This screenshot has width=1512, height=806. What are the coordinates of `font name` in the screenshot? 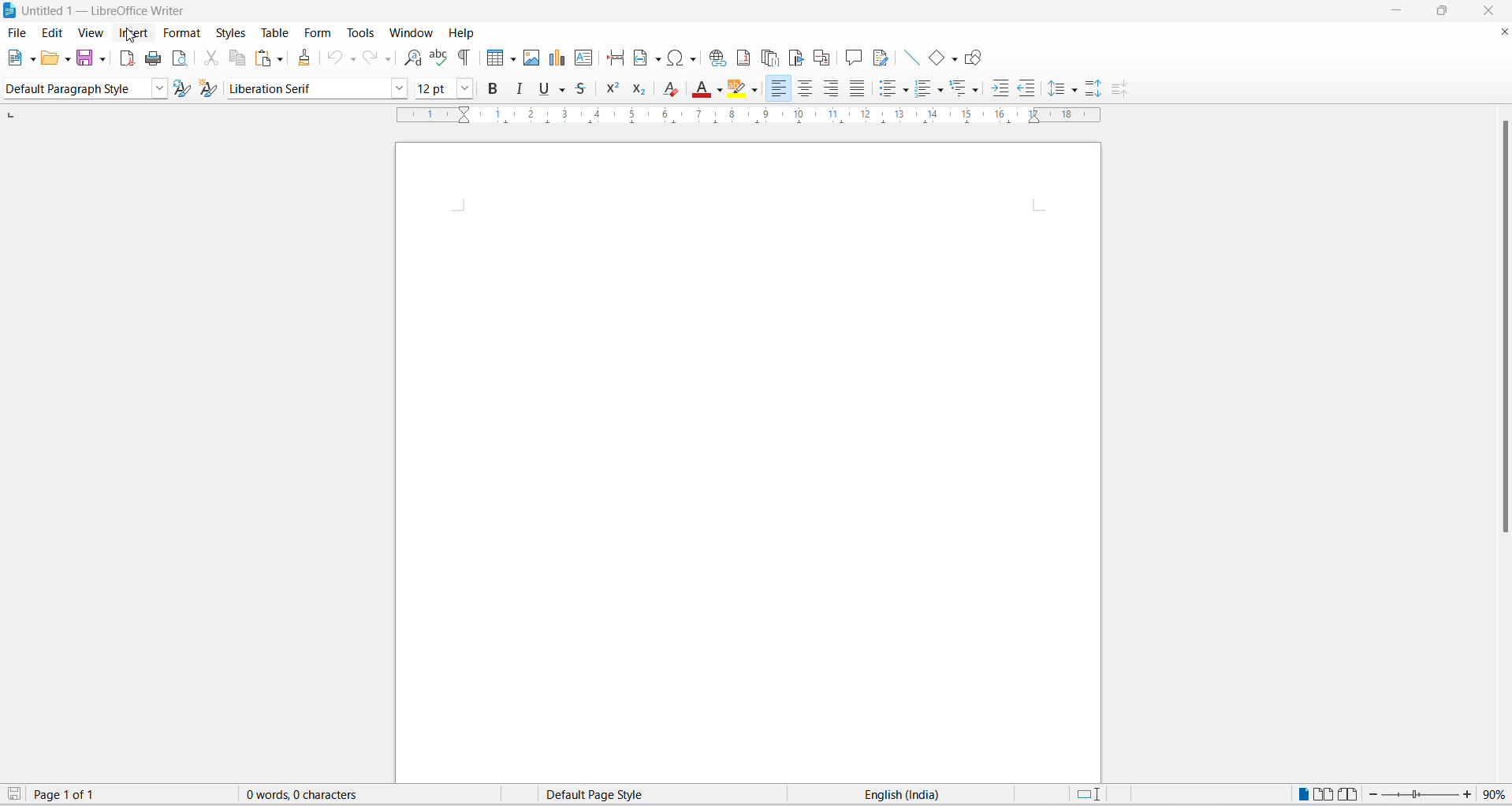 It's located at (307, 88).